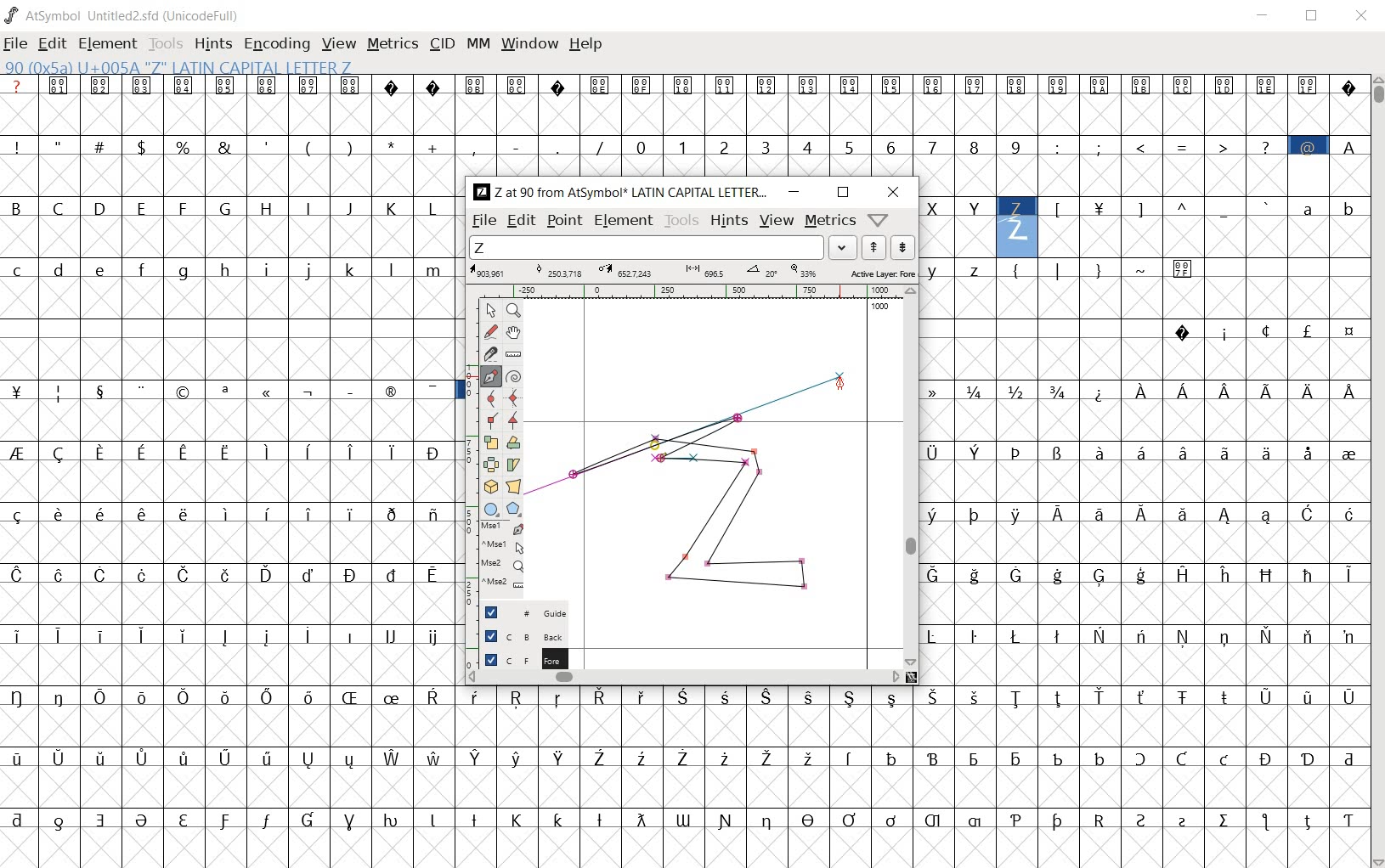 This screenshot has width=1385, height=868. Describe the element at coordinates (776, 222) in the screenshot. I see `view` at that location.